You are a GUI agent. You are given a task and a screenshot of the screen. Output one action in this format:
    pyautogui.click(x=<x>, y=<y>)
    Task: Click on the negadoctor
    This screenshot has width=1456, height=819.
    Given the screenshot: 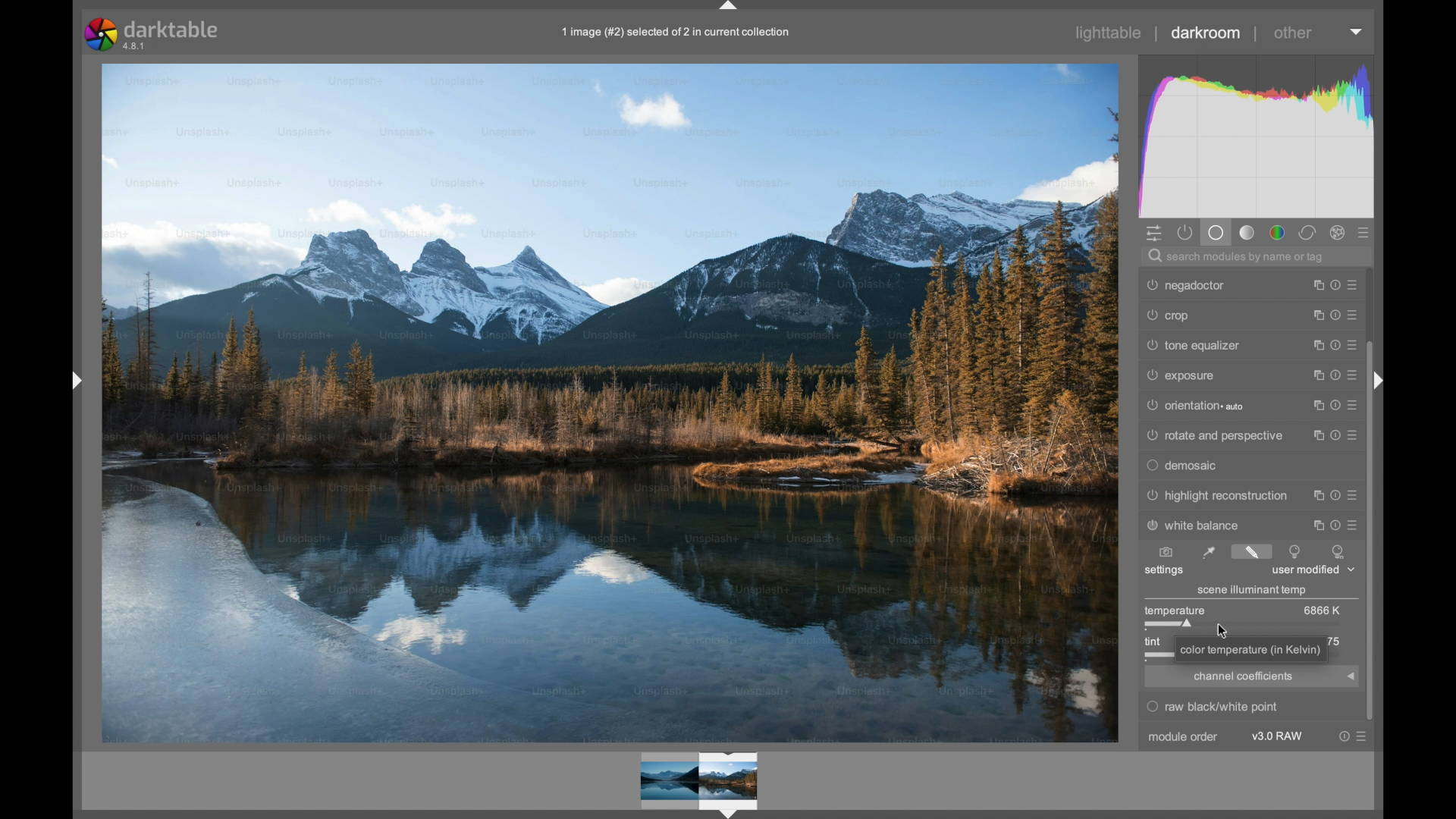 What is the action you would take?
    pyautogui.click(x=1184, y=284)
    